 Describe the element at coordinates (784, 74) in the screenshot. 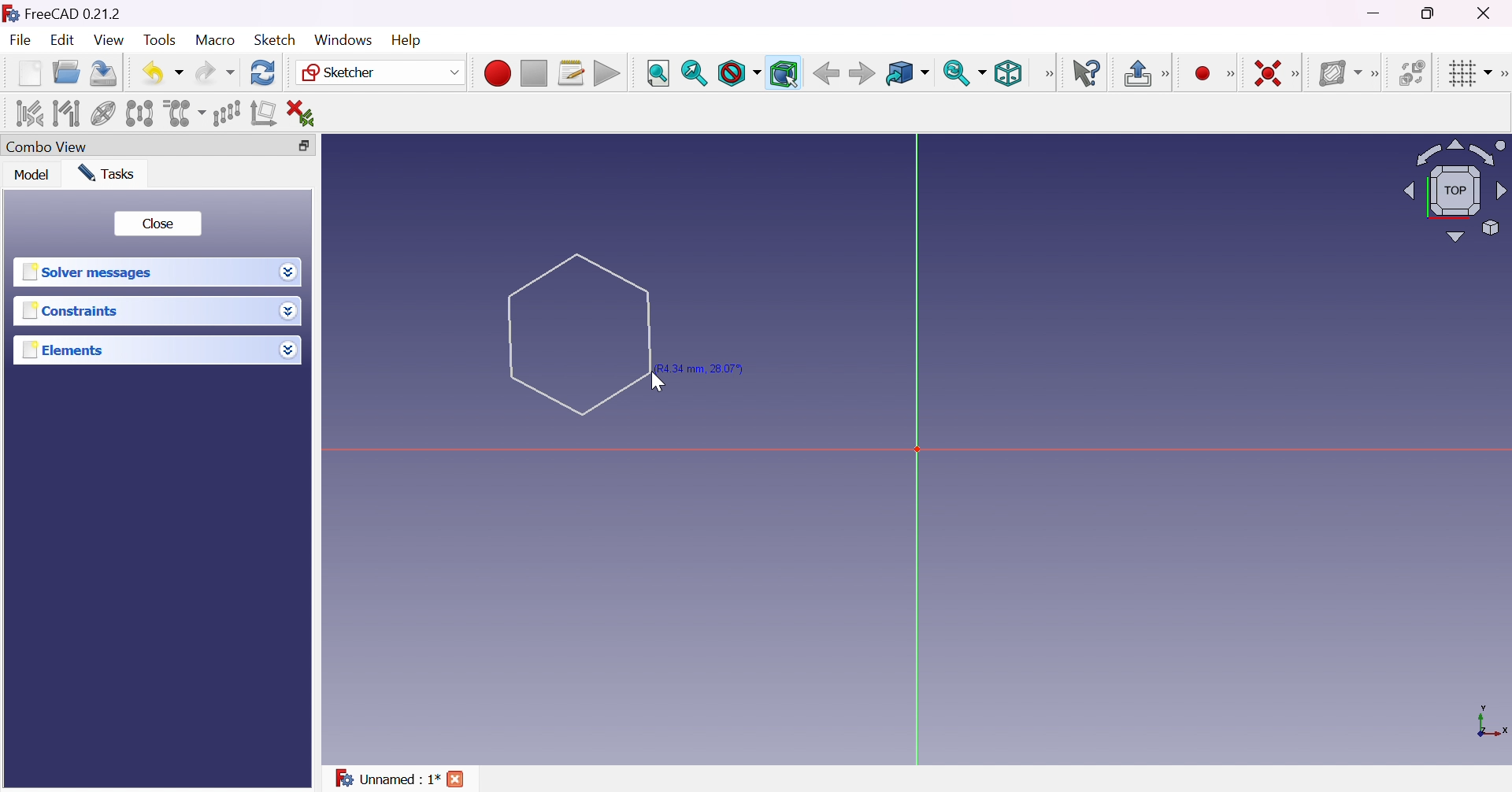

I see `Bounding box` at that location.